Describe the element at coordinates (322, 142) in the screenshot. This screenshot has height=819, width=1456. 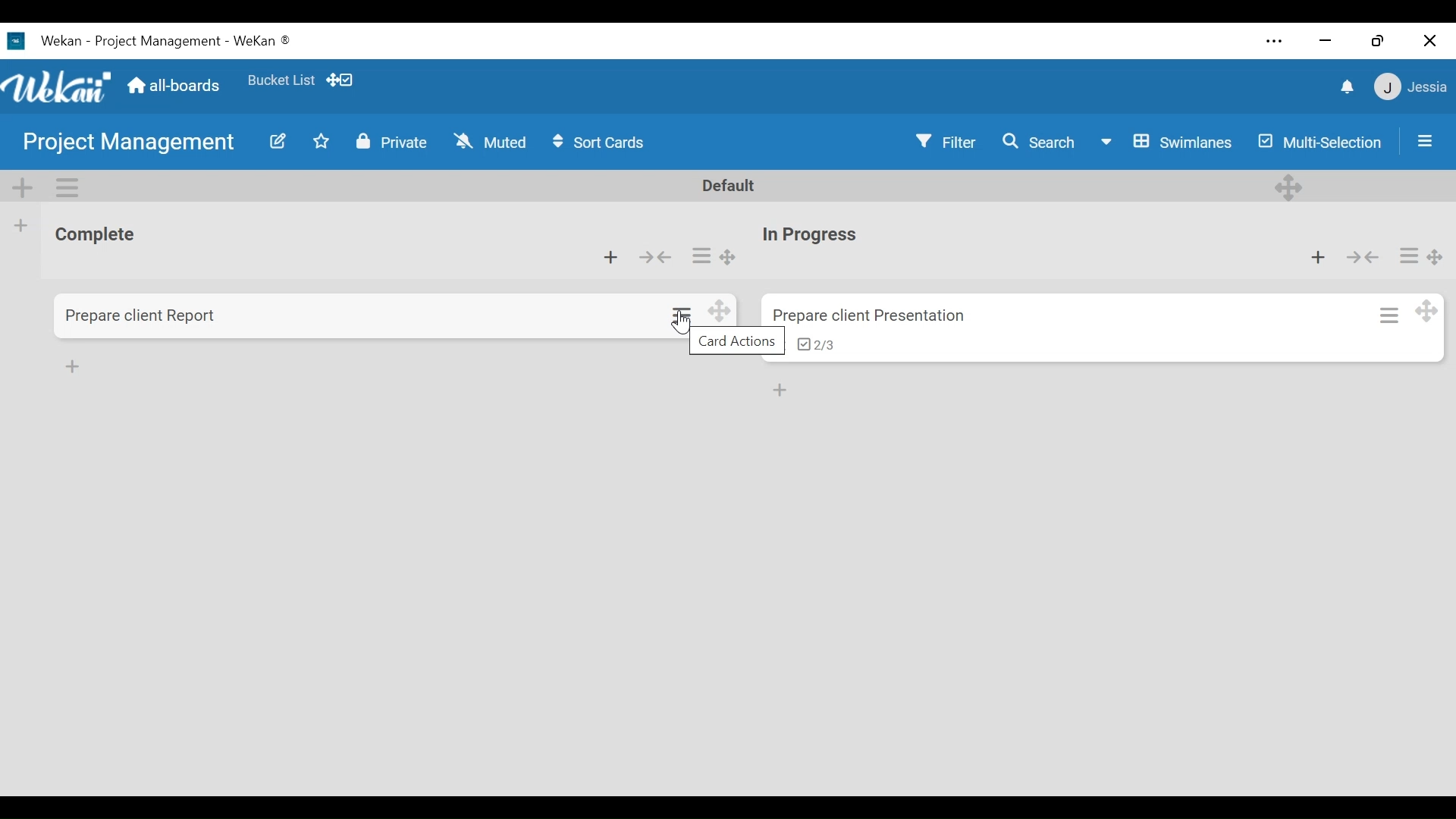
I see `Toggle favorites` at that location.